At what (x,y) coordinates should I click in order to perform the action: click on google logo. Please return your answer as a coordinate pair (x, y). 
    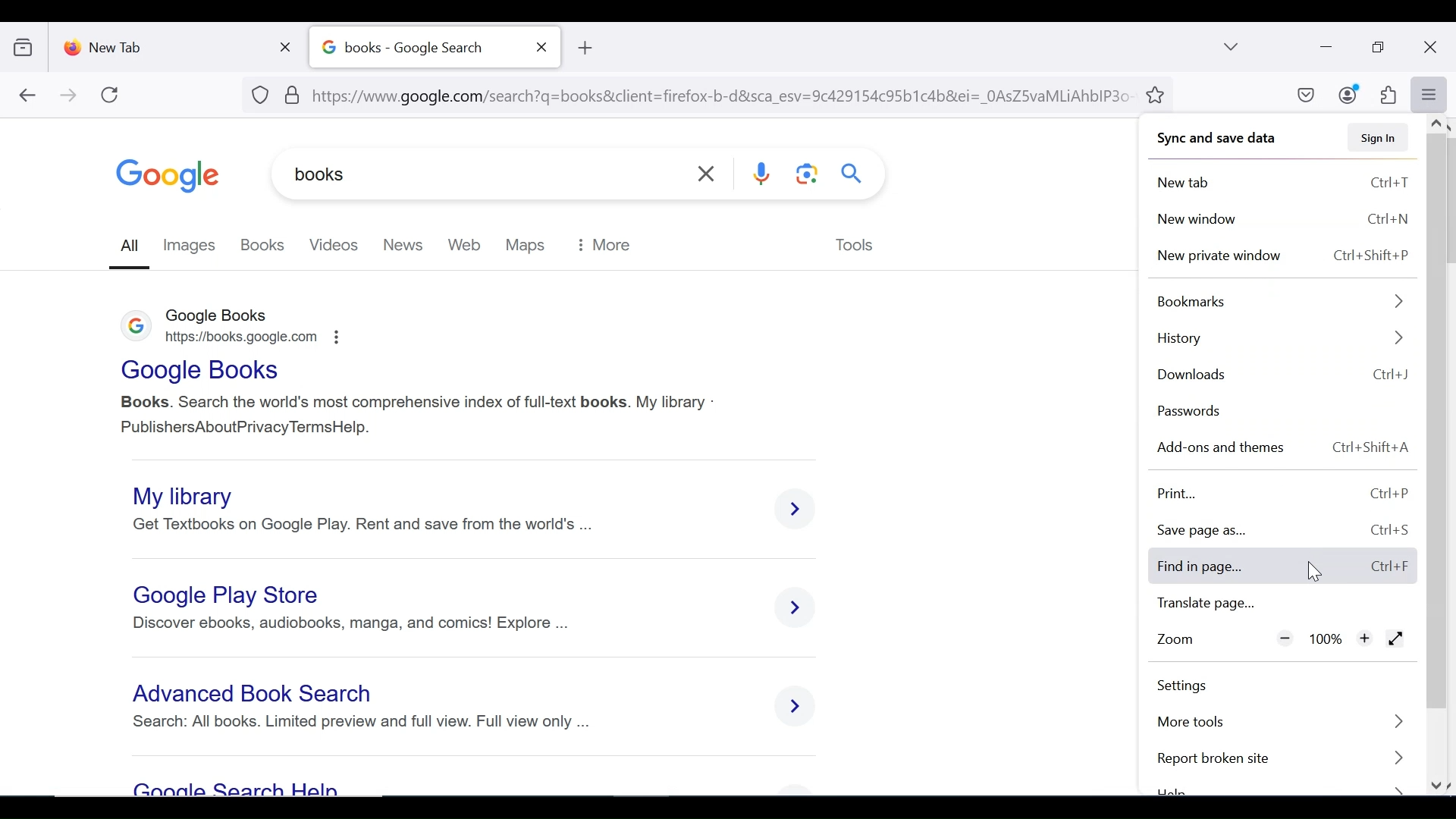
    Looking at the image, I should click on (168, 176).